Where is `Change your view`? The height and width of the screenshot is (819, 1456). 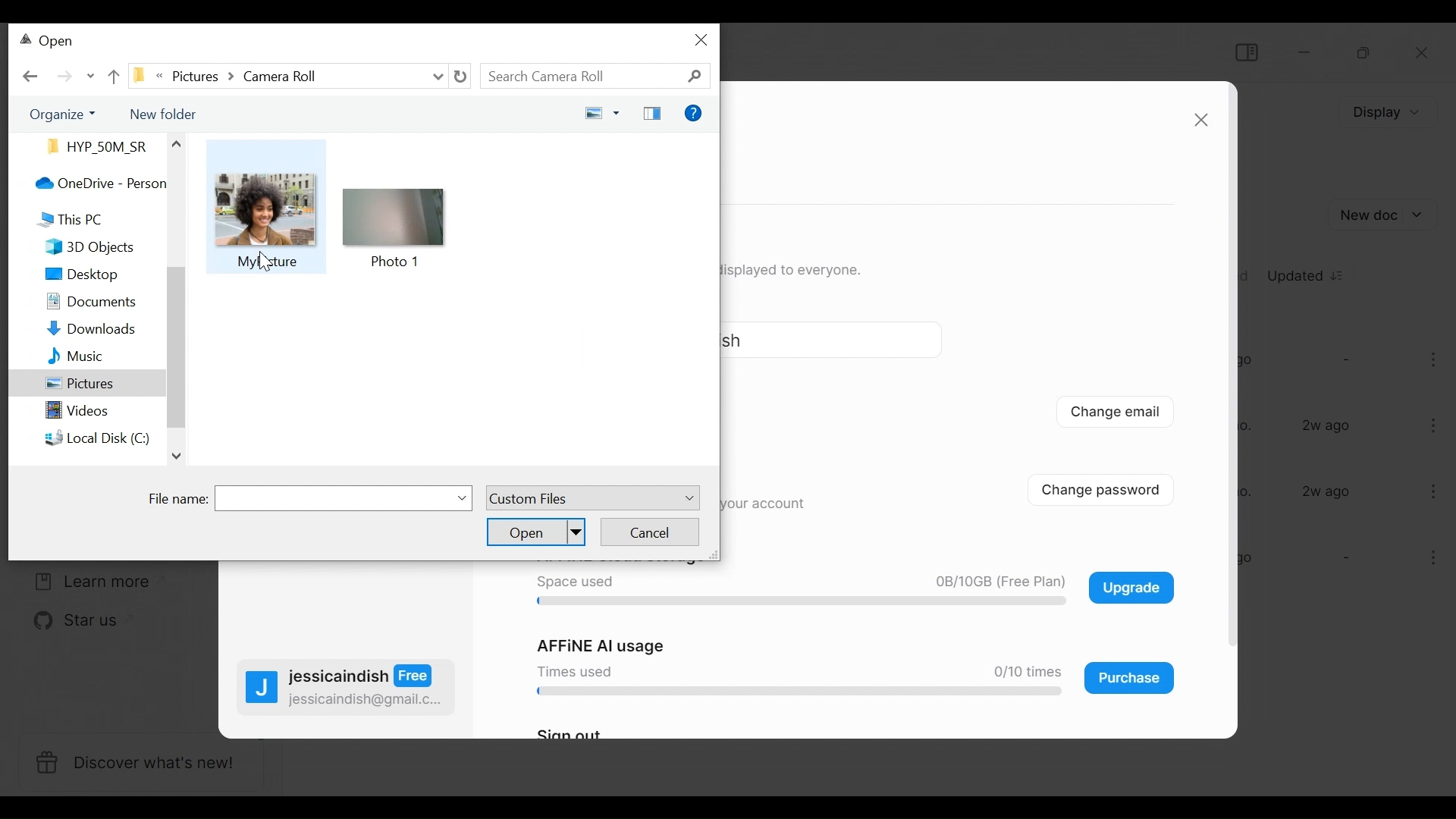 Change your view is located at coordinates (598, 114).